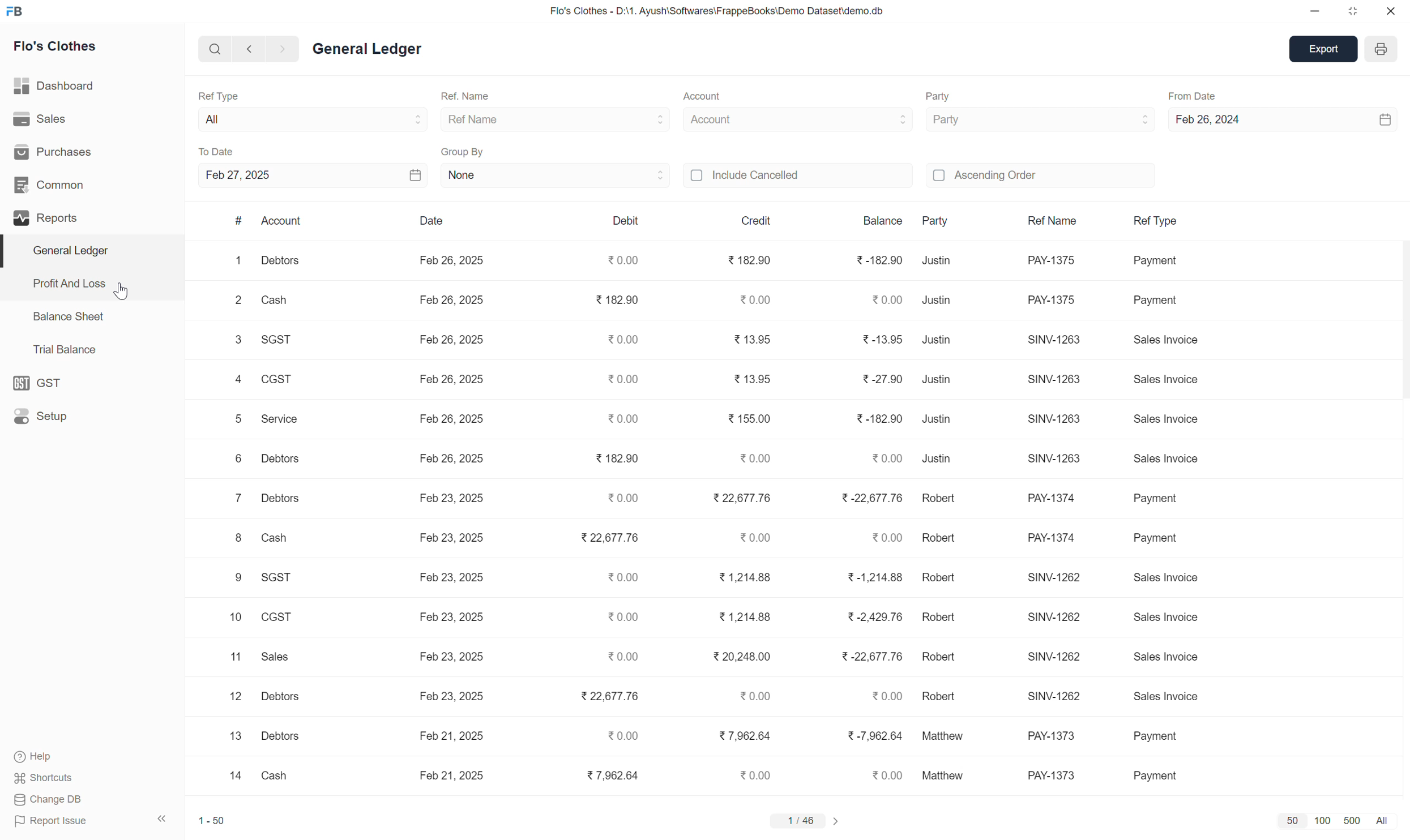  What do you see at coordinates (1383, 117) in the screenshot?
I see `Calendar` at bounding box center [1383, 117].